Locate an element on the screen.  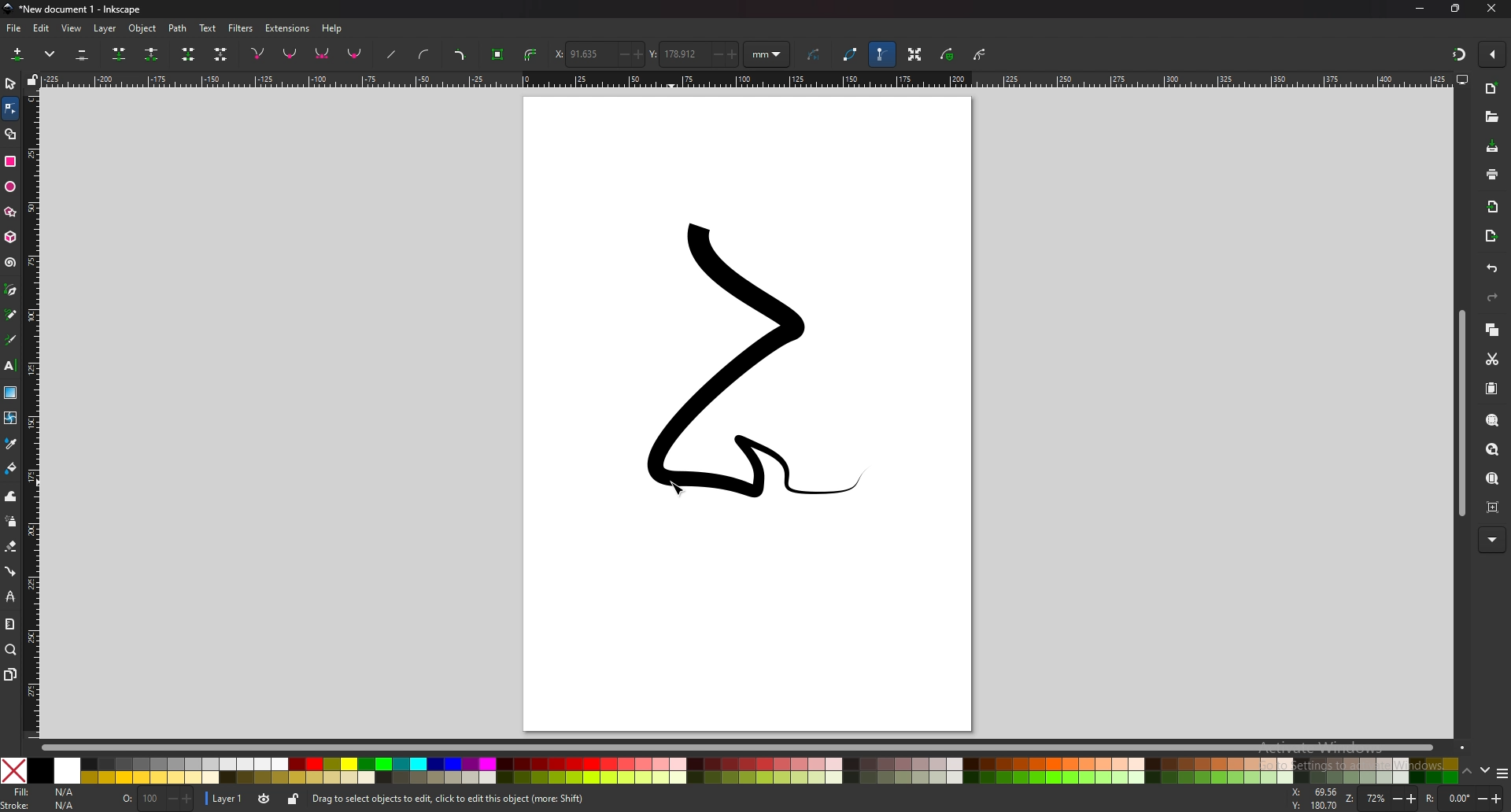
lock guide is located at coordinates (31, 79).